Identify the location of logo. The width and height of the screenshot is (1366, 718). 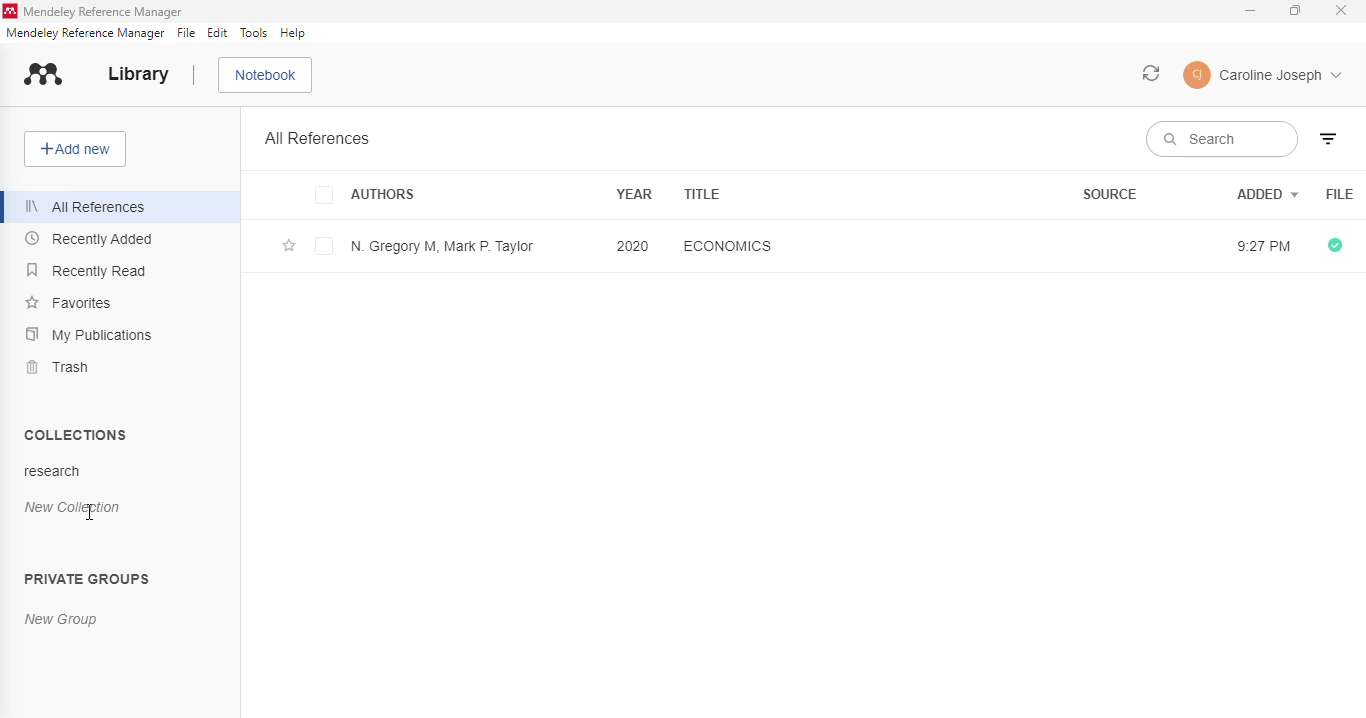
(44, 74).